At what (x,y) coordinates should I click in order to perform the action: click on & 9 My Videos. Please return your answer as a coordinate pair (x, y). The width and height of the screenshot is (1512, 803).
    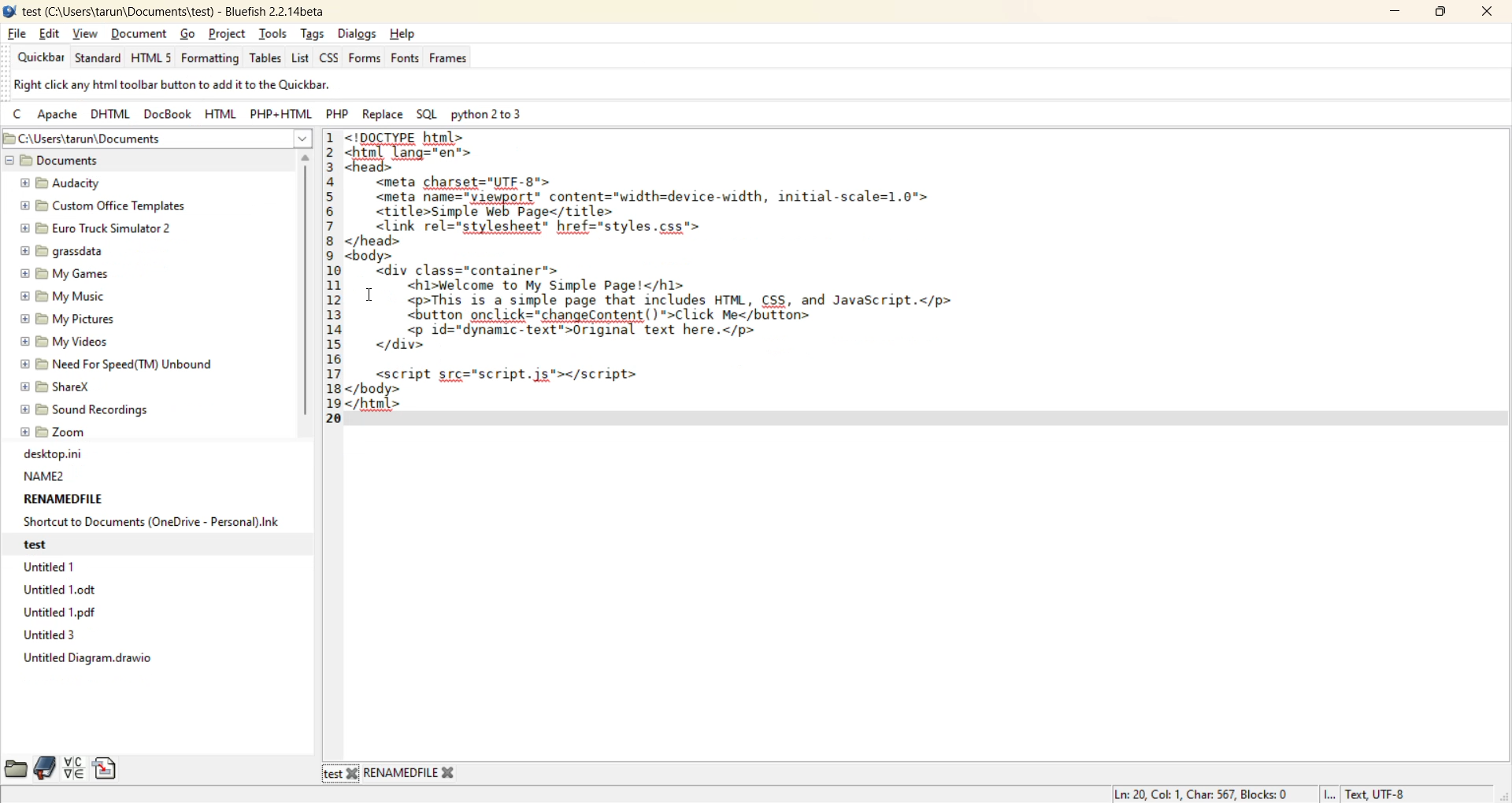
    Looking at the image, I should click on (69, 344).